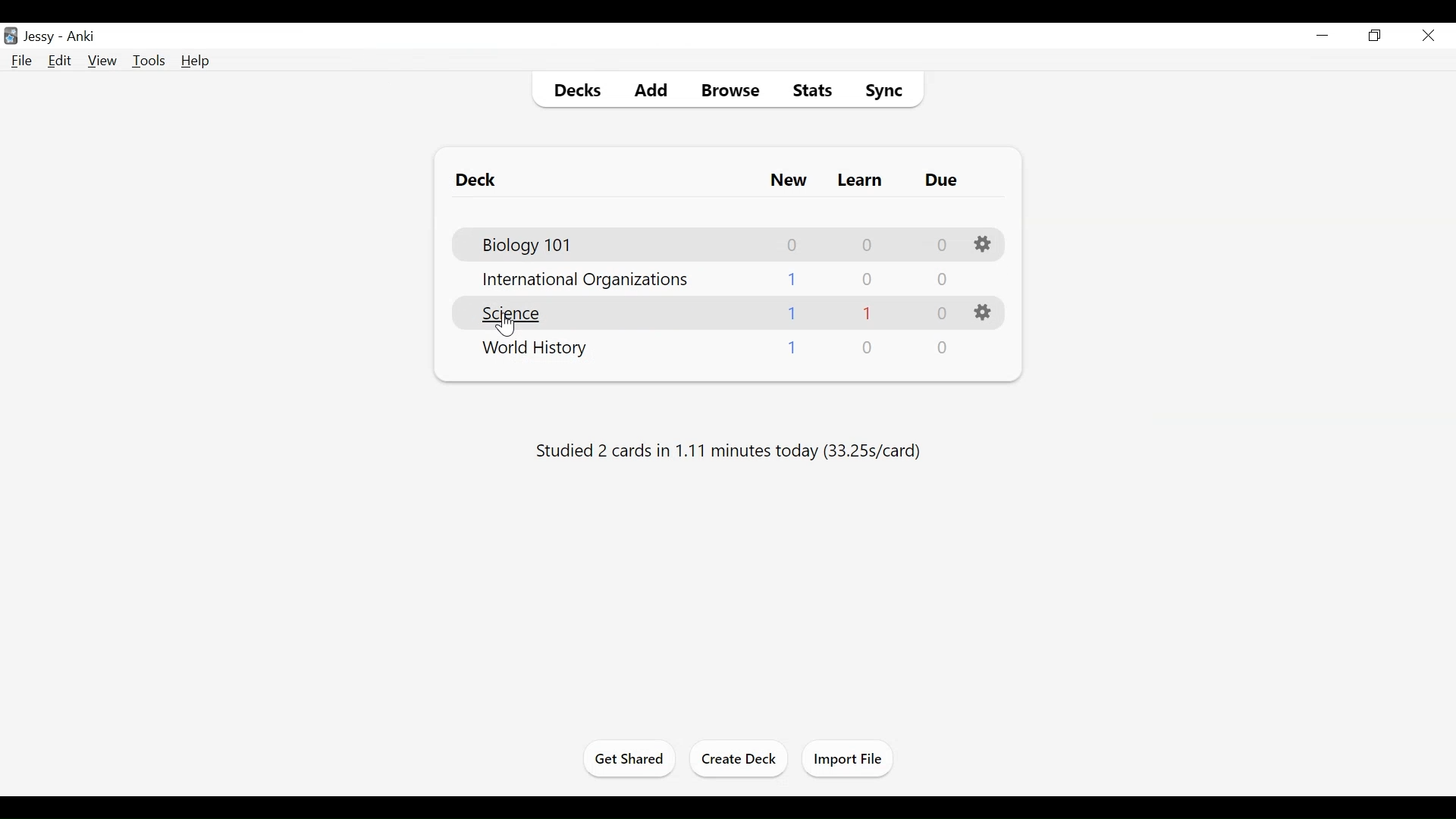 The image size is (1456, 819). Describe the element at coordinates (868, 280) in the screenshot. I see `Learn Cards Count` at that location.